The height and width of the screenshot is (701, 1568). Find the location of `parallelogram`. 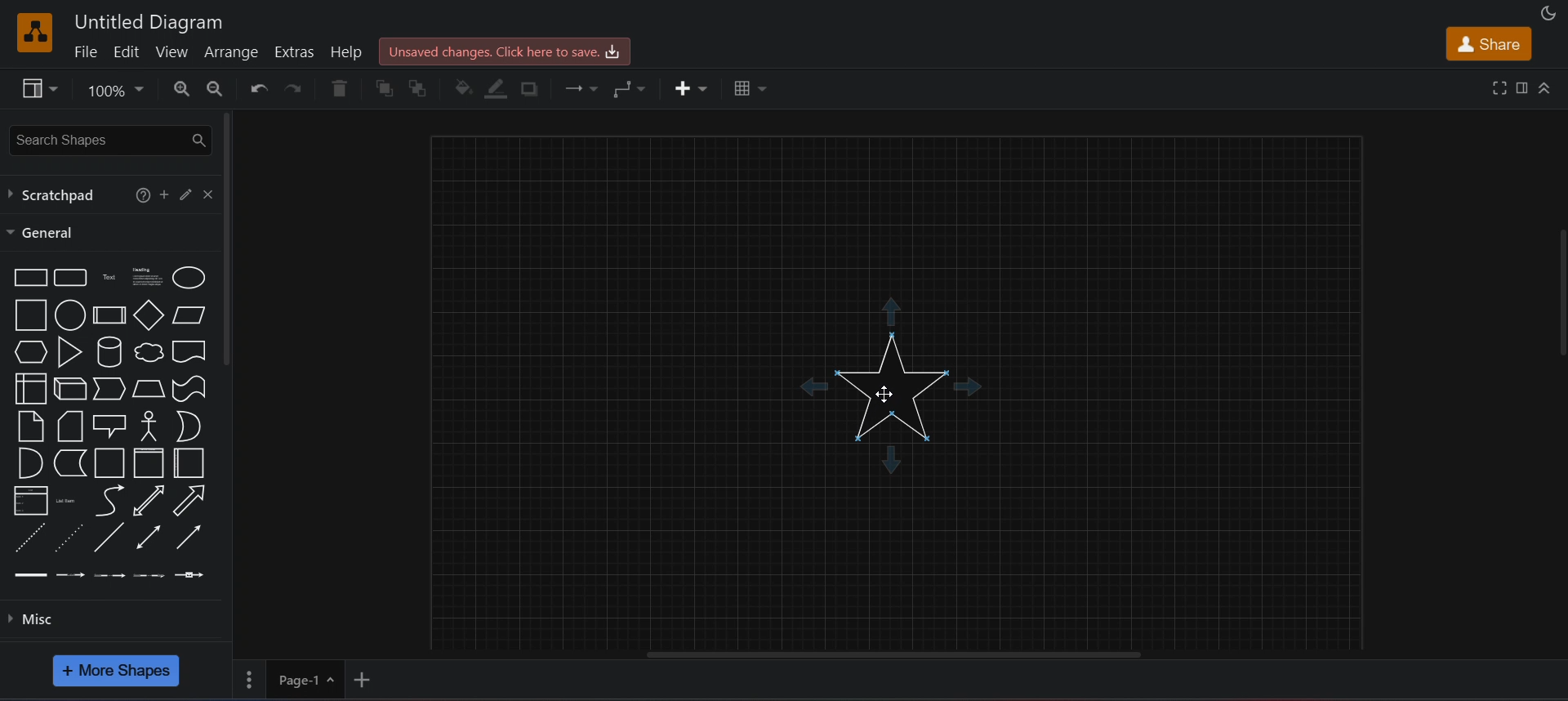

parallelogram is located at coordinates (189, 317).